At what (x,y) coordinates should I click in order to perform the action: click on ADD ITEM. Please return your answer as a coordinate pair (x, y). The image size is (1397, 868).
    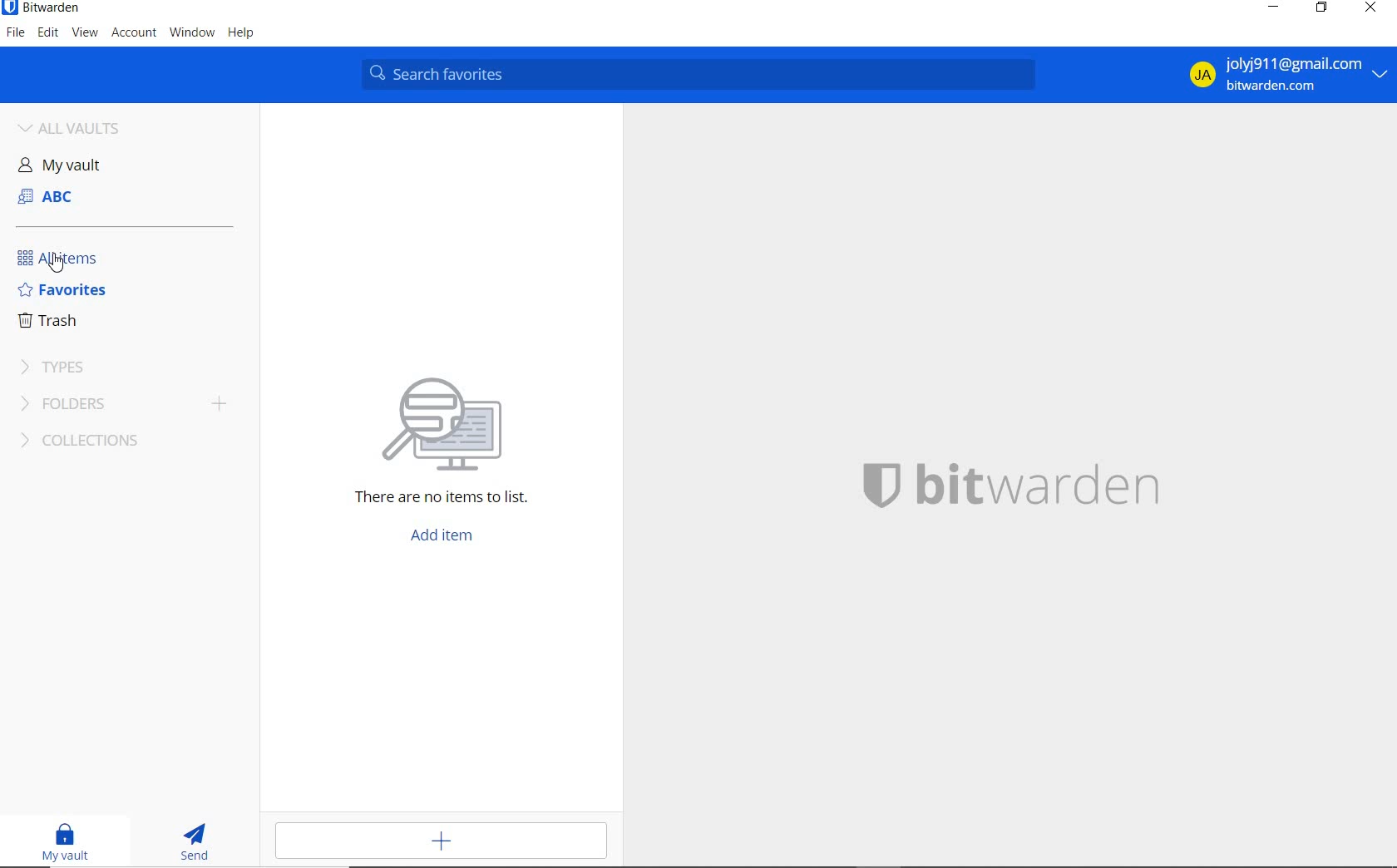
    Looking at the image, I should click on (447, 536).